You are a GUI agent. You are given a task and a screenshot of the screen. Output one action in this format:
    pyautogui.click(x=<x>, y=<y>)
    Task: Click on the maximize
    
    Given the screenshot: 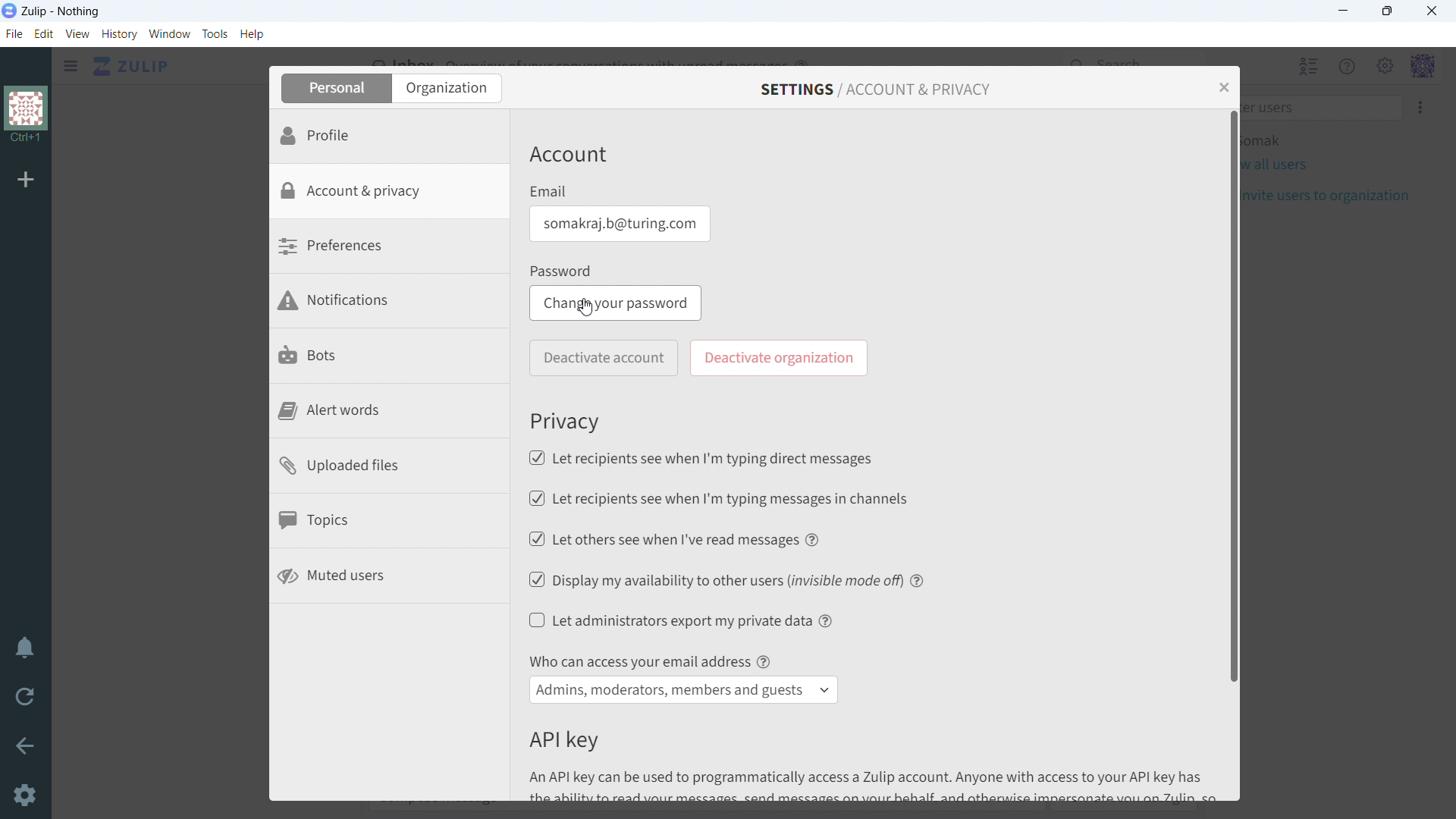 What is the action you would take?
    pyautogui.click(x=1386, y=11)
    